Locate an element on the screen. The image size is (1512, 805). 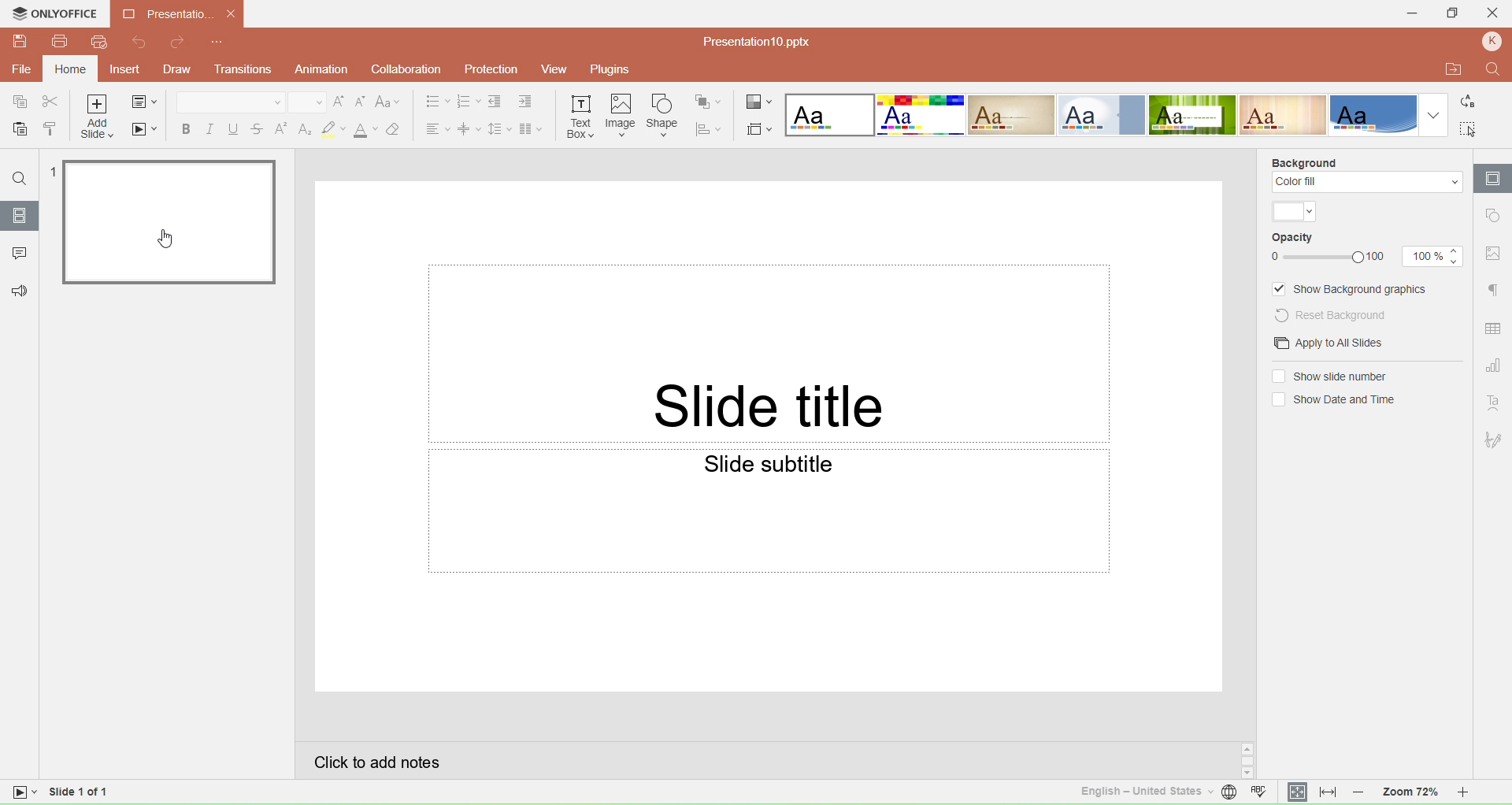
Align shape is located at coordinates (710, 128).